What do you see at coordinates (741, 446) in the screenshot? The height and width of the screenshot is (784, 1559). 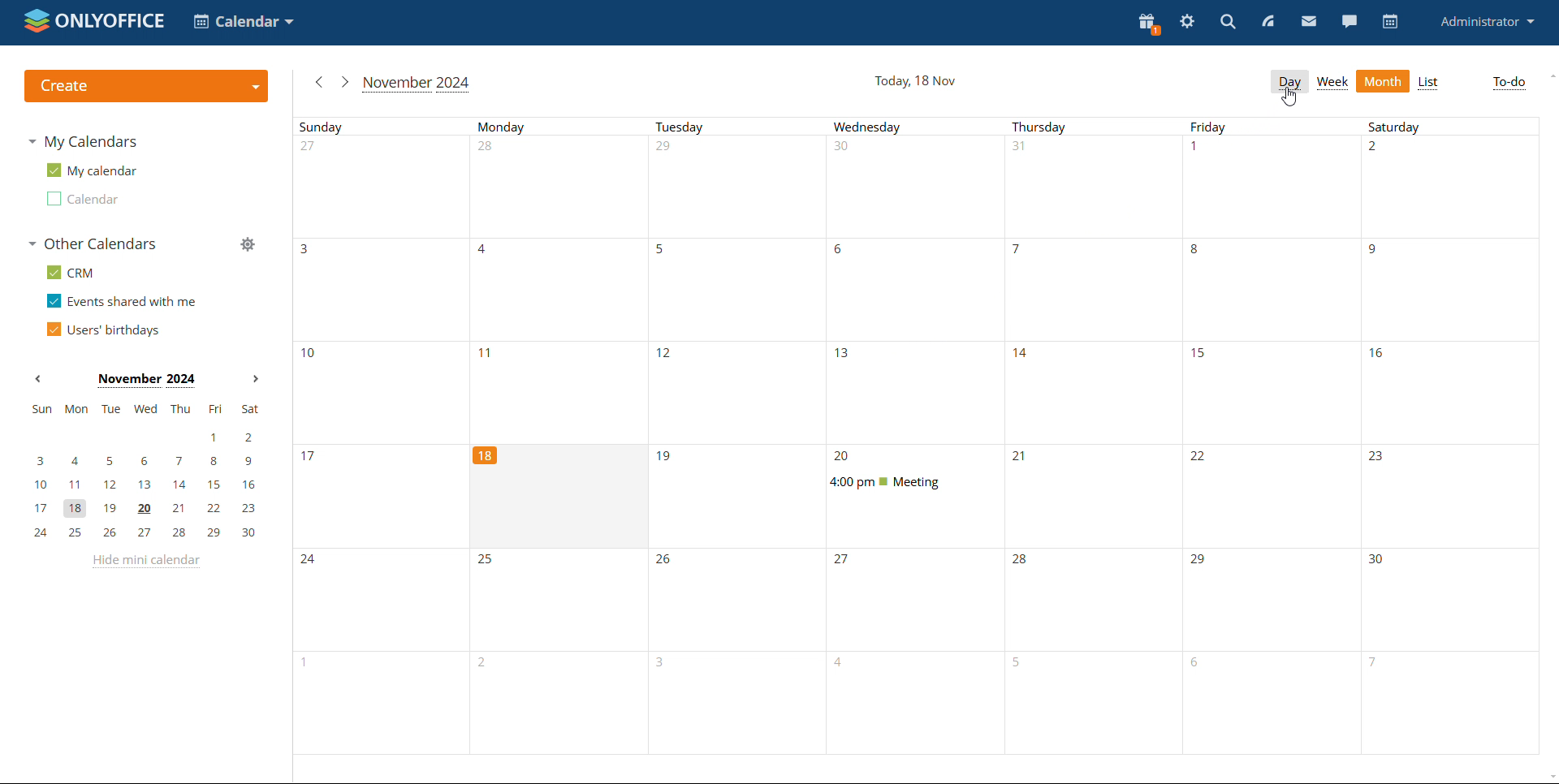 I see `Tuesday` at bounding box center [741, 446].